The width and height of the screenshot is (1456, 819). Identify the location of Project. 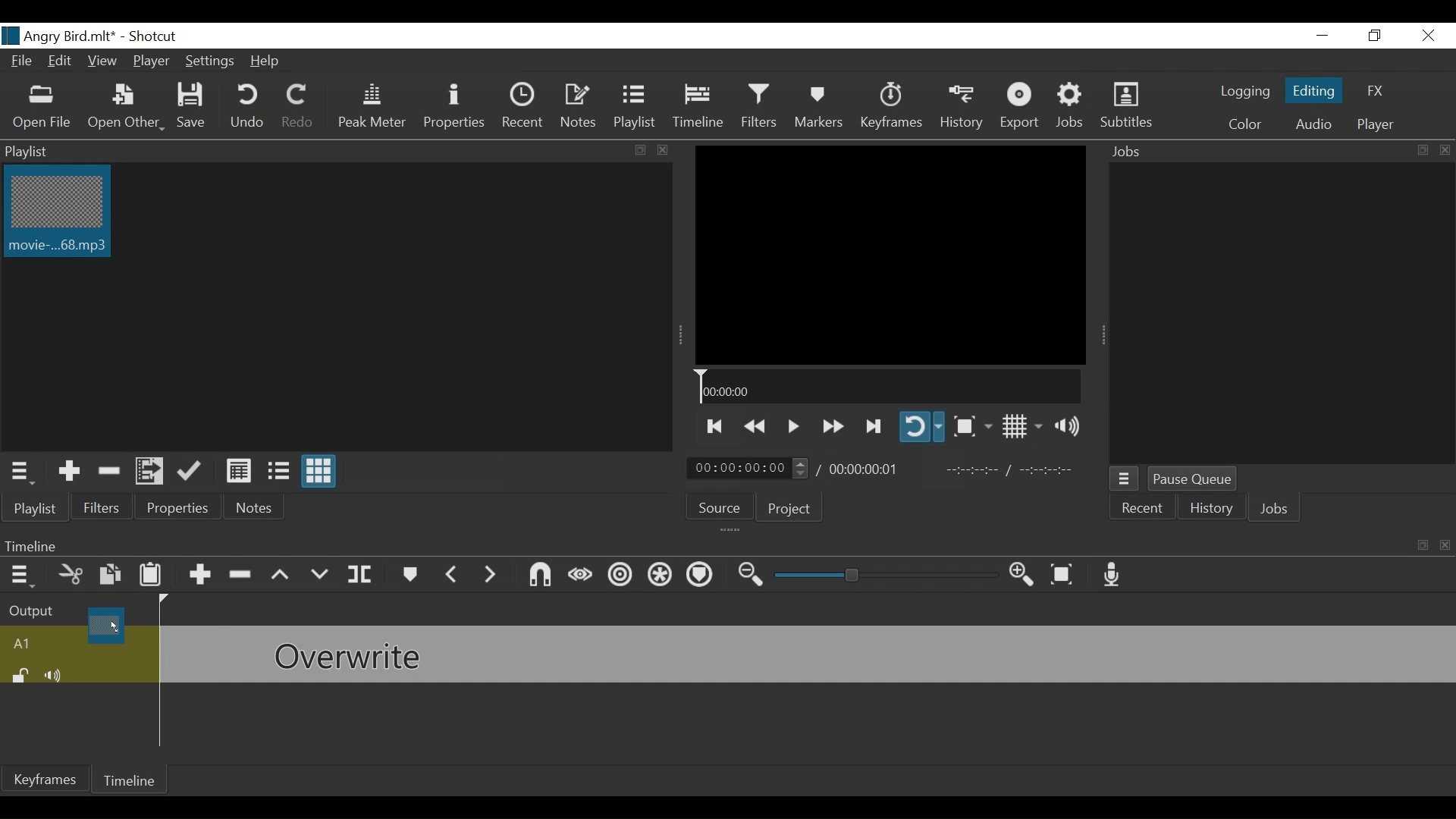
(795, 507).